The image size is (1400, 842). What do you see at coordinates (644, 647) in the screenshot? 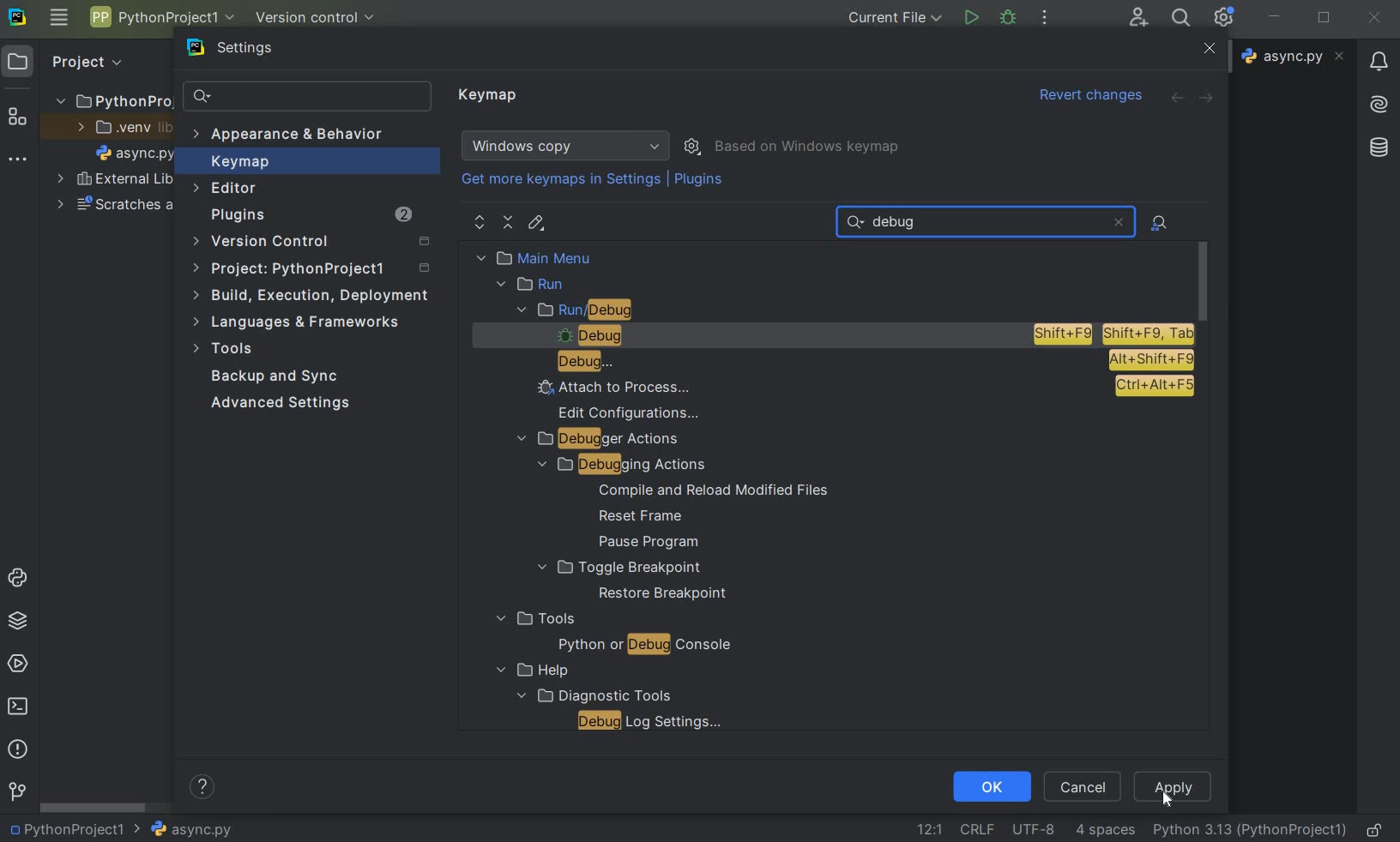
I see `python or debug console` at bounding box center [644, 647].